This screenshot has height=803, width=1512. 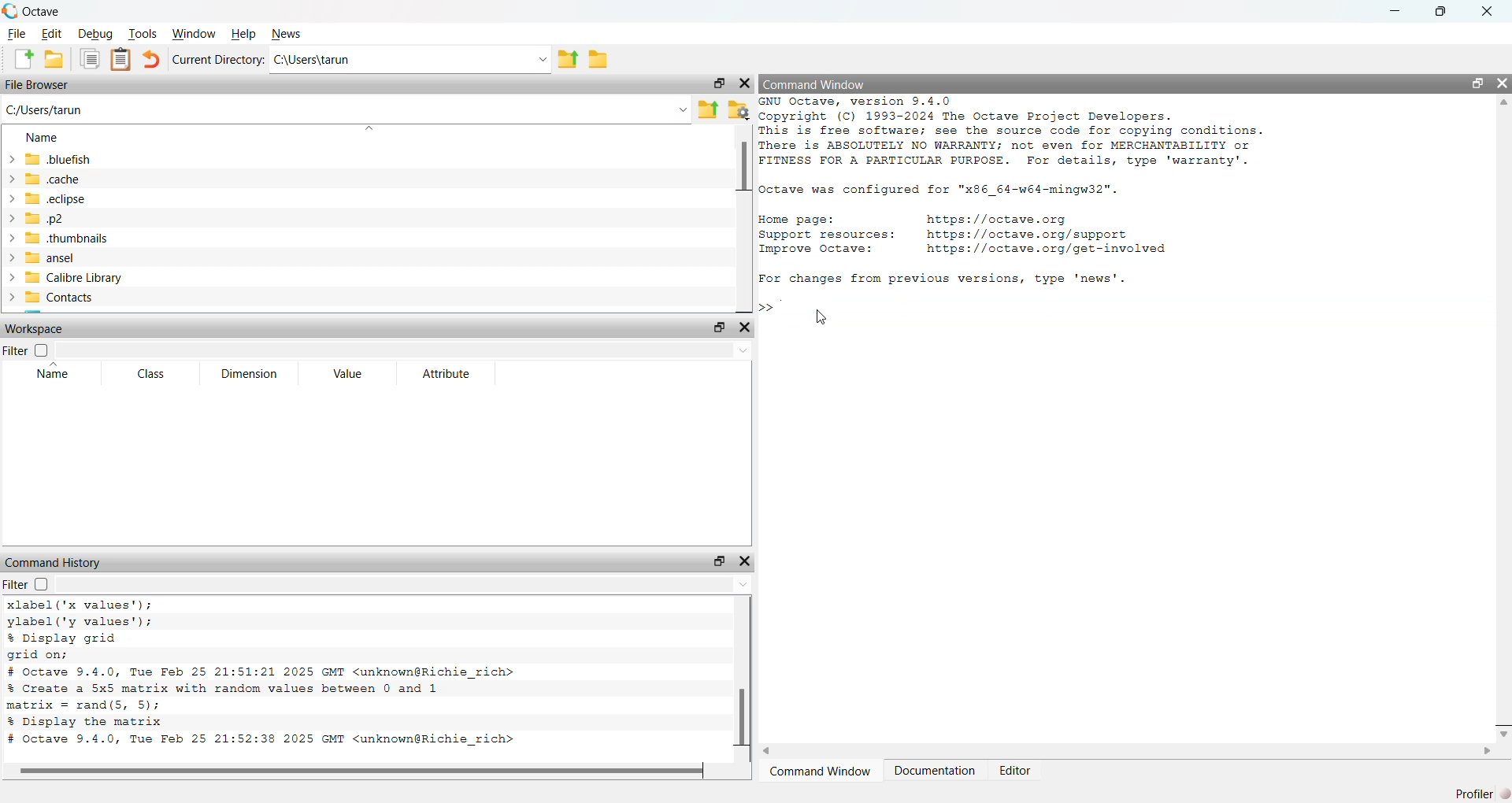 I want to click on Name, so click(x=55, y=375).